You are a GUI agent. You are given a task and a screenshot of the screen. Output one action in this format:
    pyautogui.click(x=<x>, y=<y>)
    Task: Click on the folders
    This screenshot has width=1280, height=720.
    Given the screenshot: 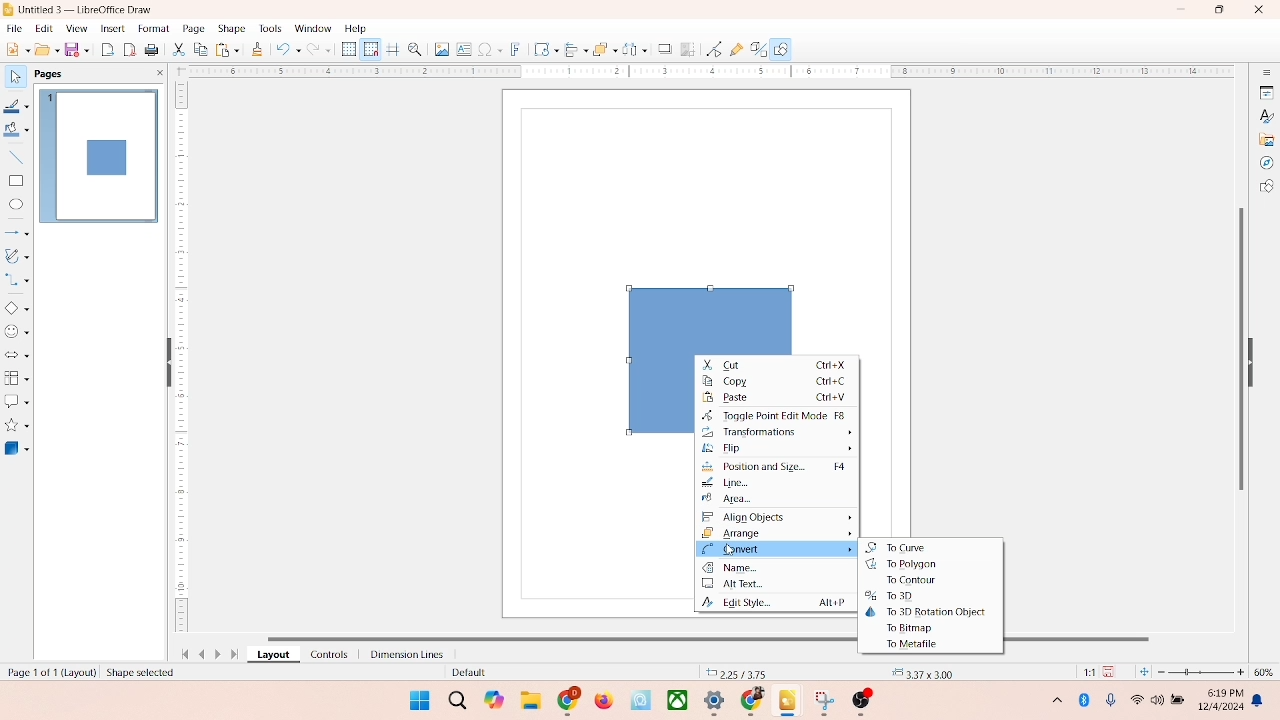 What is the action you would take?
    pyautogui.click(x=530, y=698)
    